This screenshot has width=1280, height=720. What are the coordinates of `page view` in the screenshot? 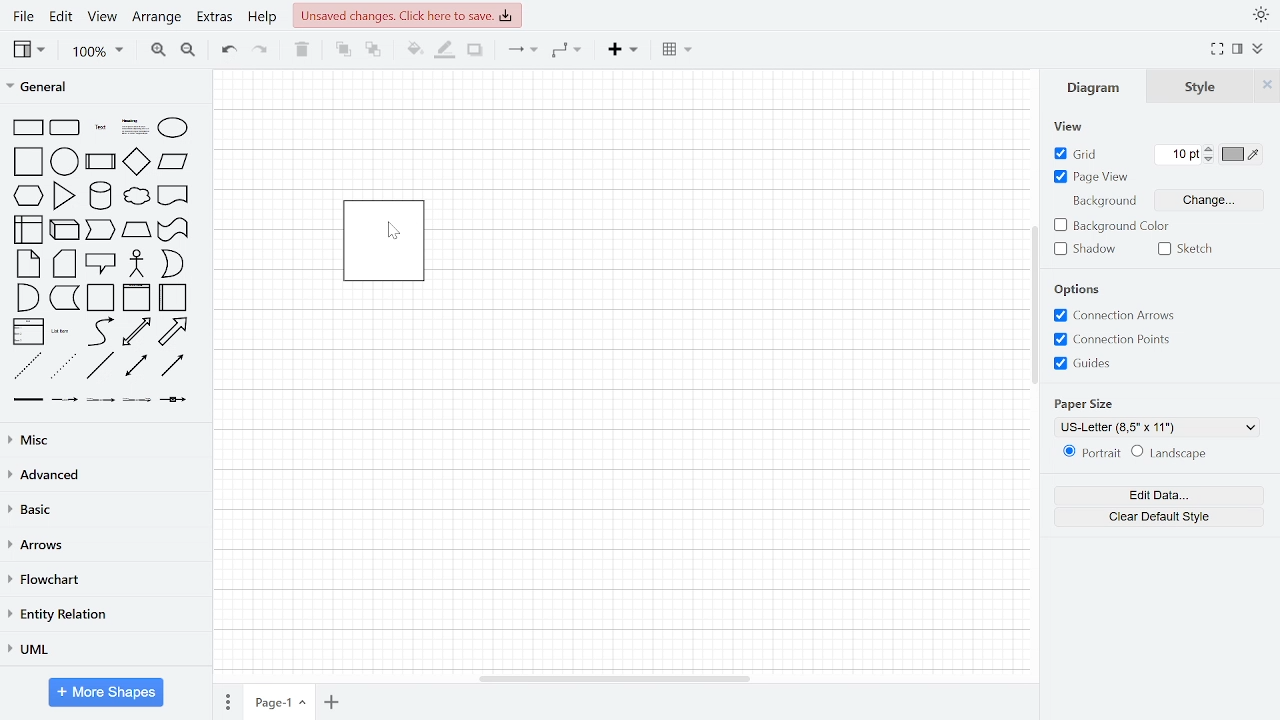 It's located at (1097, 177).